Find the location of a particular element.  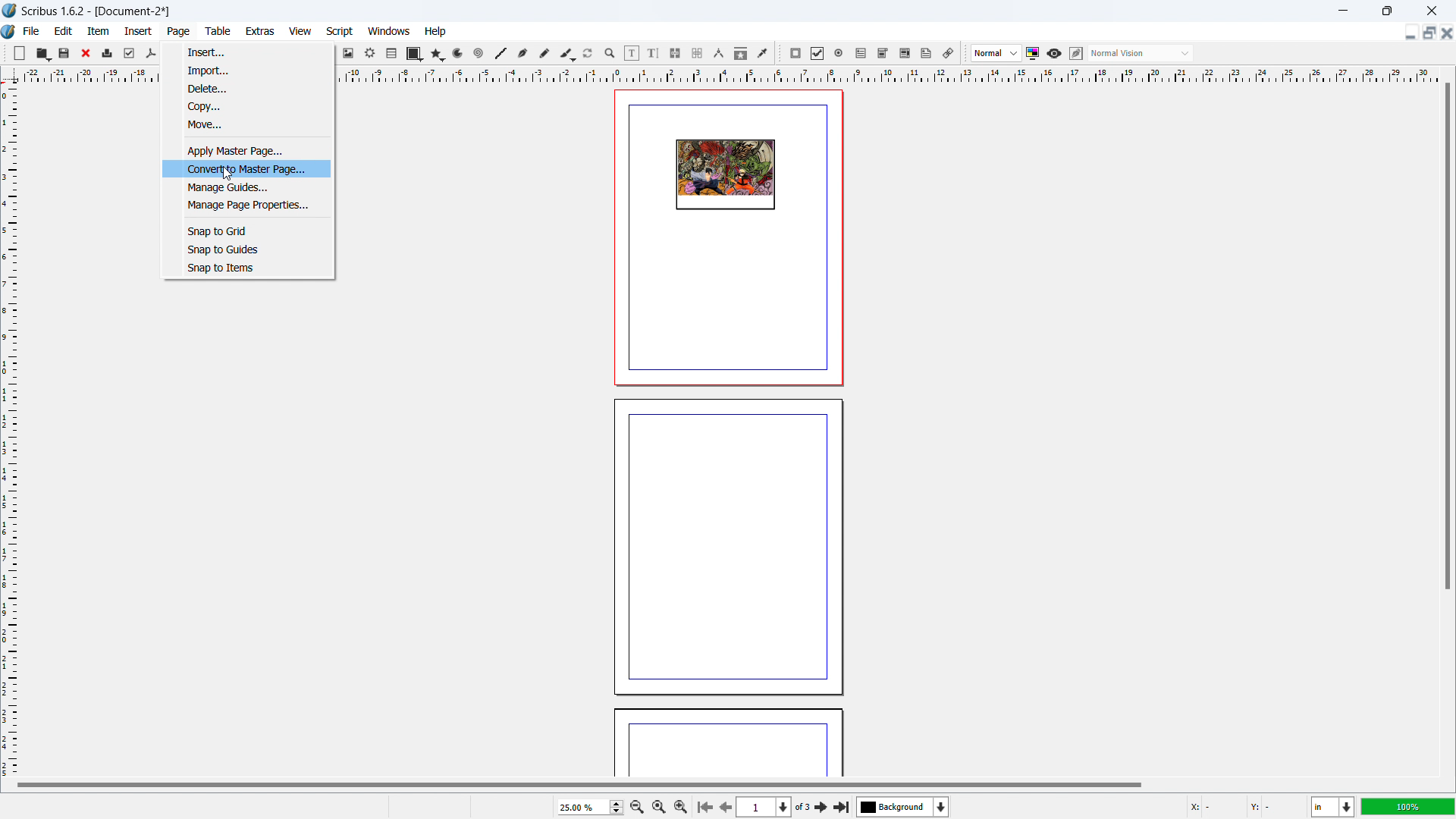

logo is located at coordinates (9, 33).